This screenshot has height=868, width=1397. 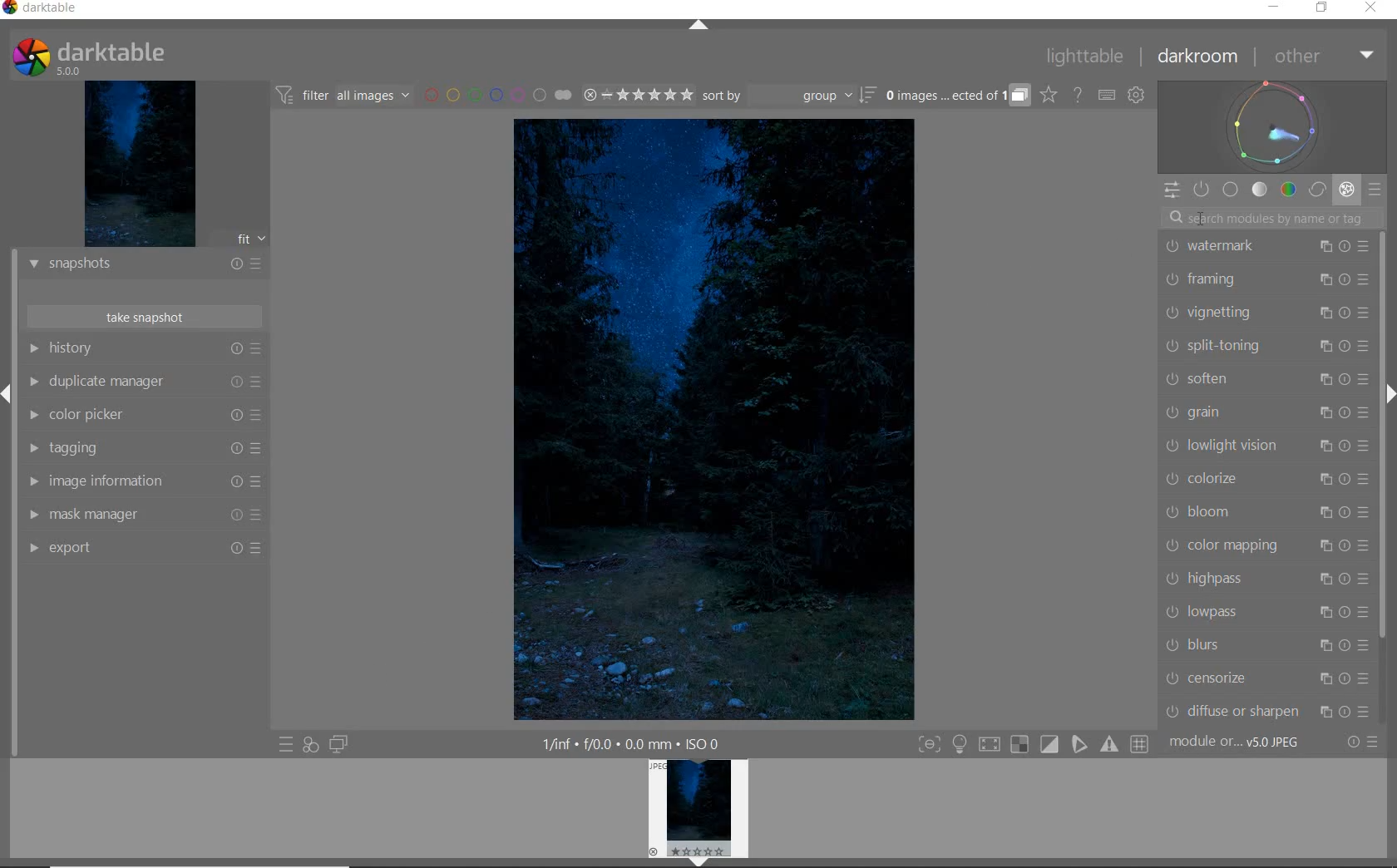 What do you see at coordinates (342, 744) in the screenshot?
I see `DISPLAY A SECOND DARKROOM IMAGE WINDOW` at bounding box center [342, 744].